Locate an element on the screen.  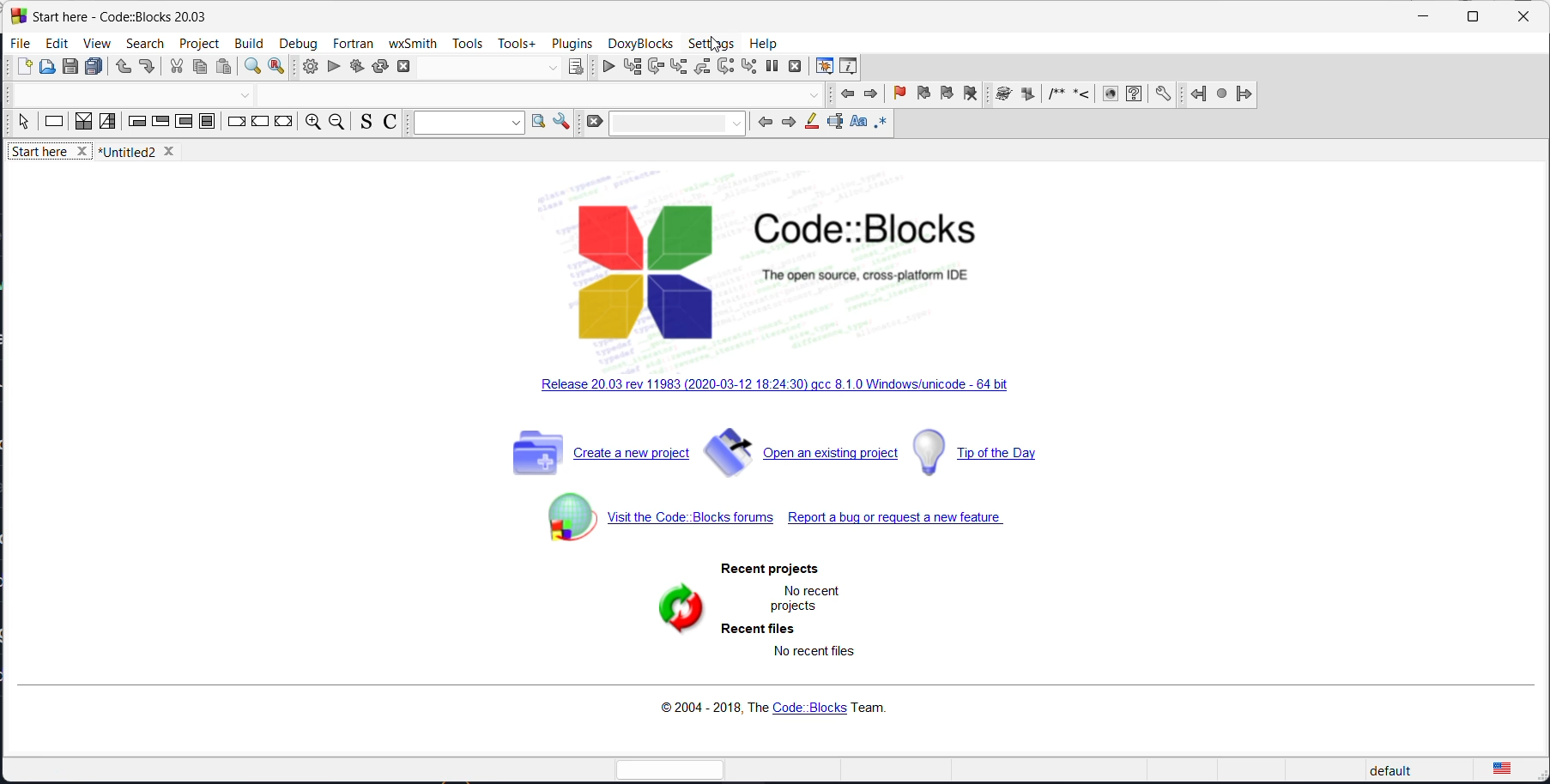
maximize is located at coordinates (1471, 17).